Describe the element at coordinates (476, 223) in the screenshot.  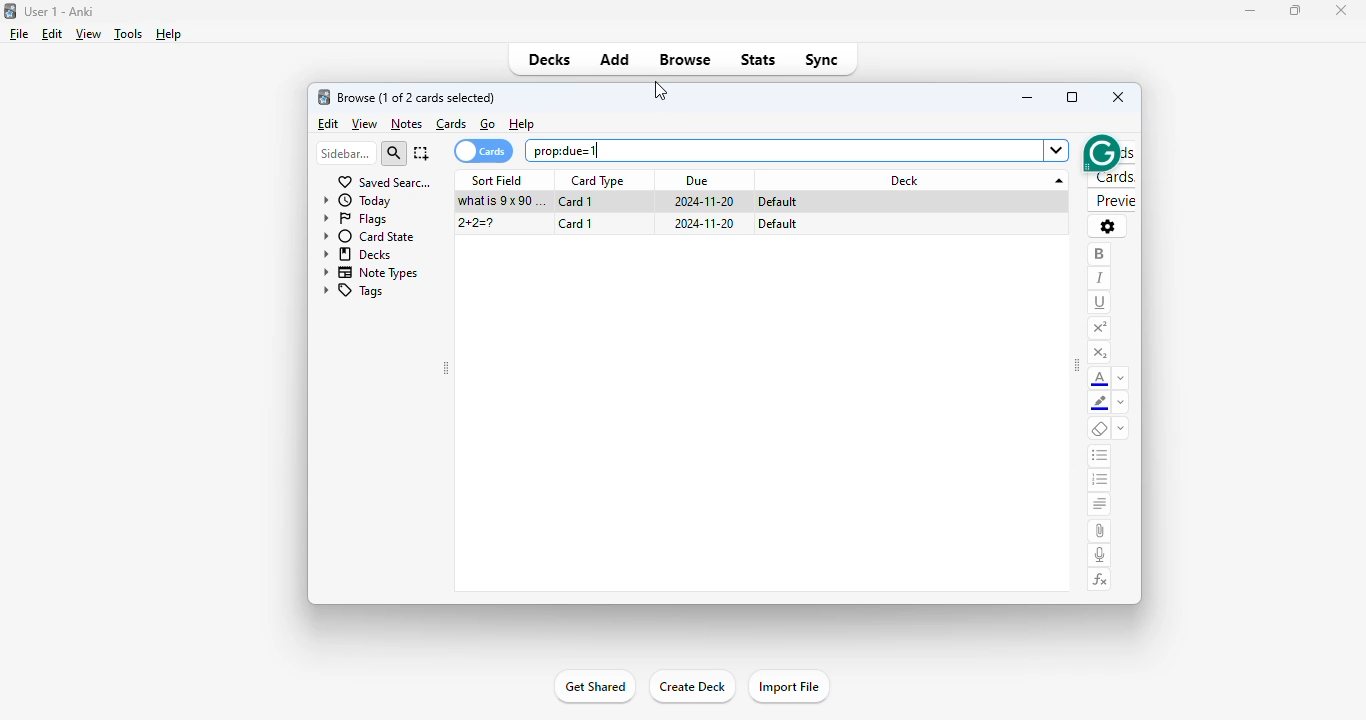
I see `2+2=?` at that location.